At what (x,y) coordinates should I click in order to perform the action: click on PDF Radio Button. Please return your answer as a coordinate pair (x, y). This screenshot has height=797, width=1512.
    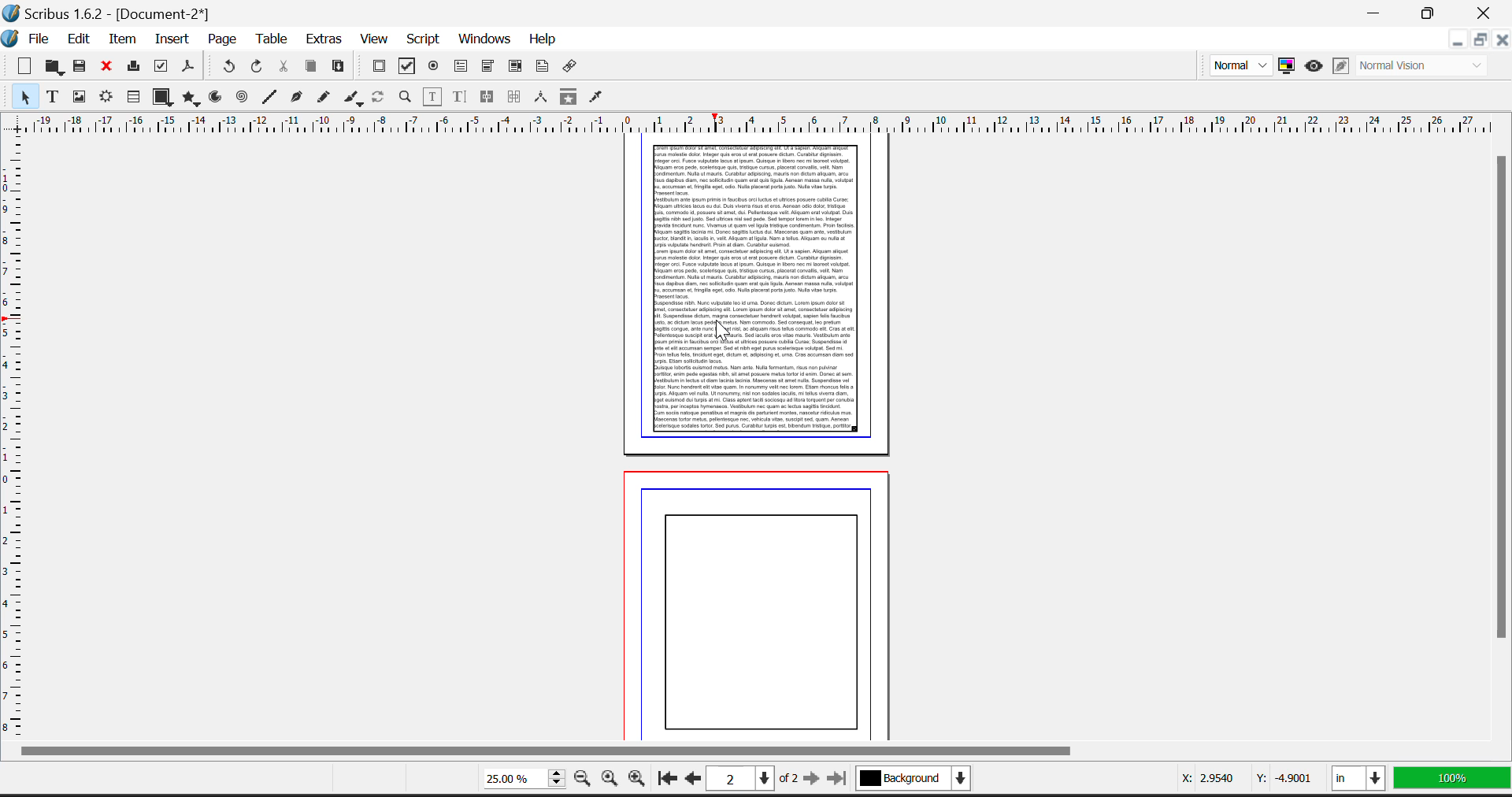
    Looking at the image, I should click on (434, 67).